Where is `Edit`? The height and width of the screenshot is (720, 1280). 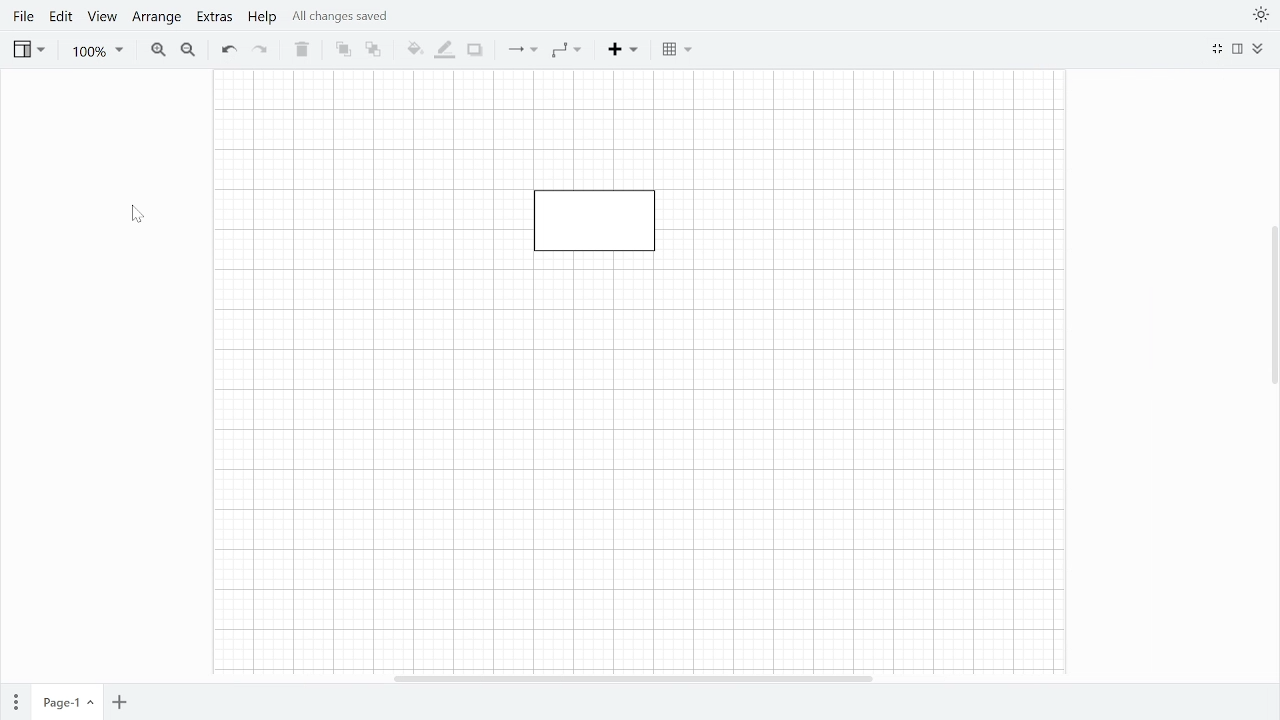 Edit is located at coordinates (63, 18).